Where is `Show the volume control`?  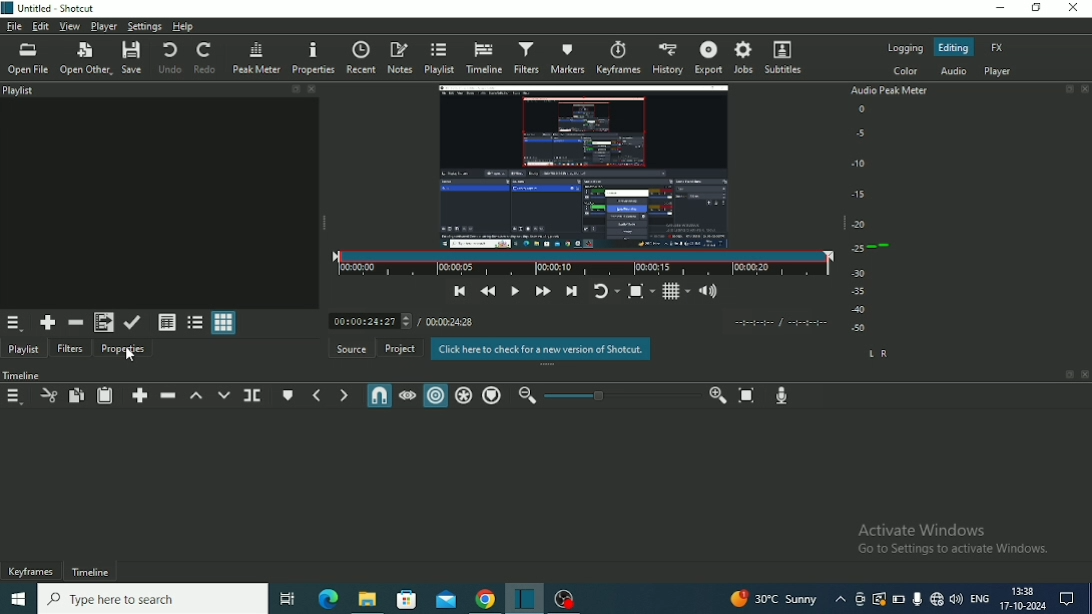 Show the volume control is located at coordinates (709, 292).